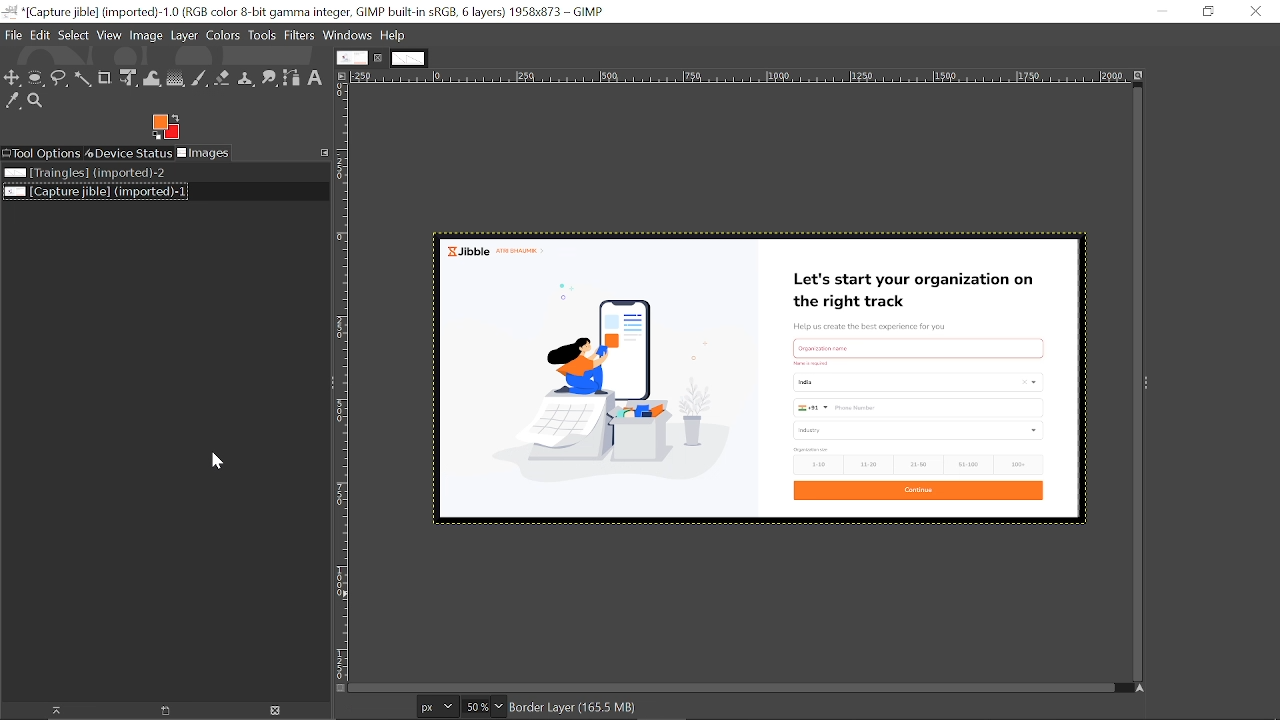 The height and width of the screenshot is (720, 1280). Describe the element at coordinates (438, 707) in the screenshot. I see `Current image units` at that location.